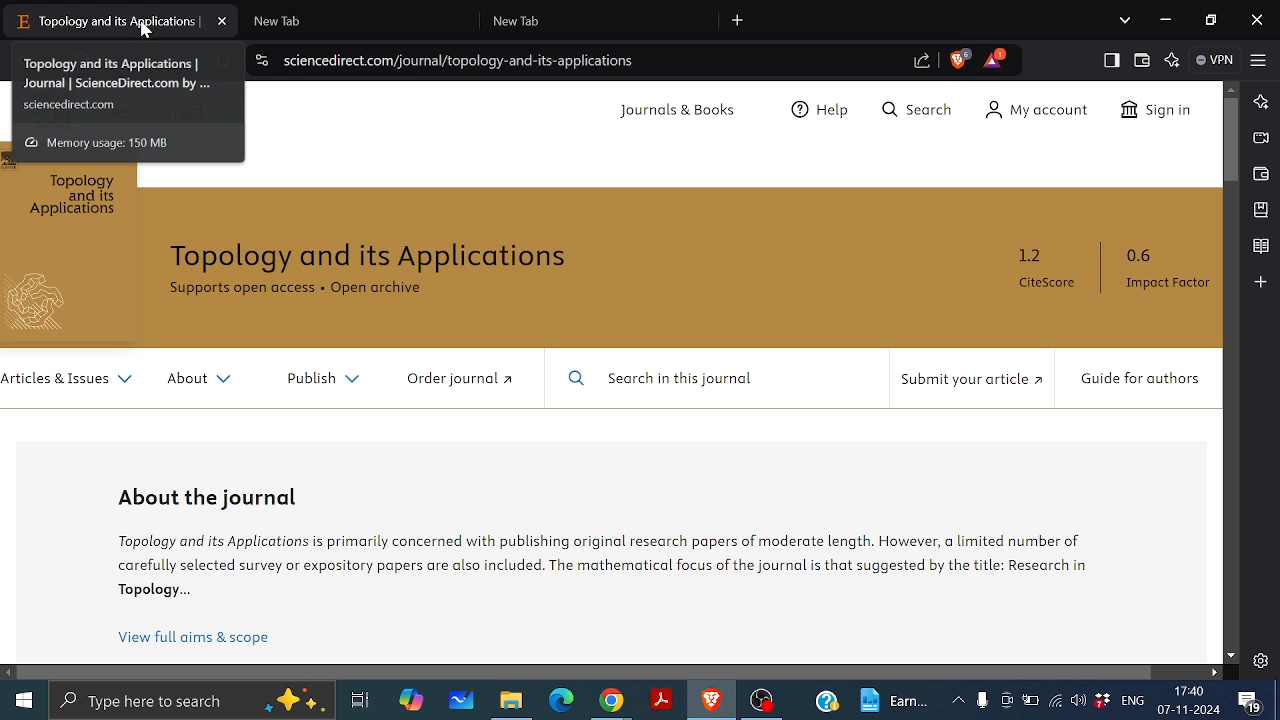  Describe the element at coordinates (351, 21) in the screenshot. I see `First new tab` at that location.